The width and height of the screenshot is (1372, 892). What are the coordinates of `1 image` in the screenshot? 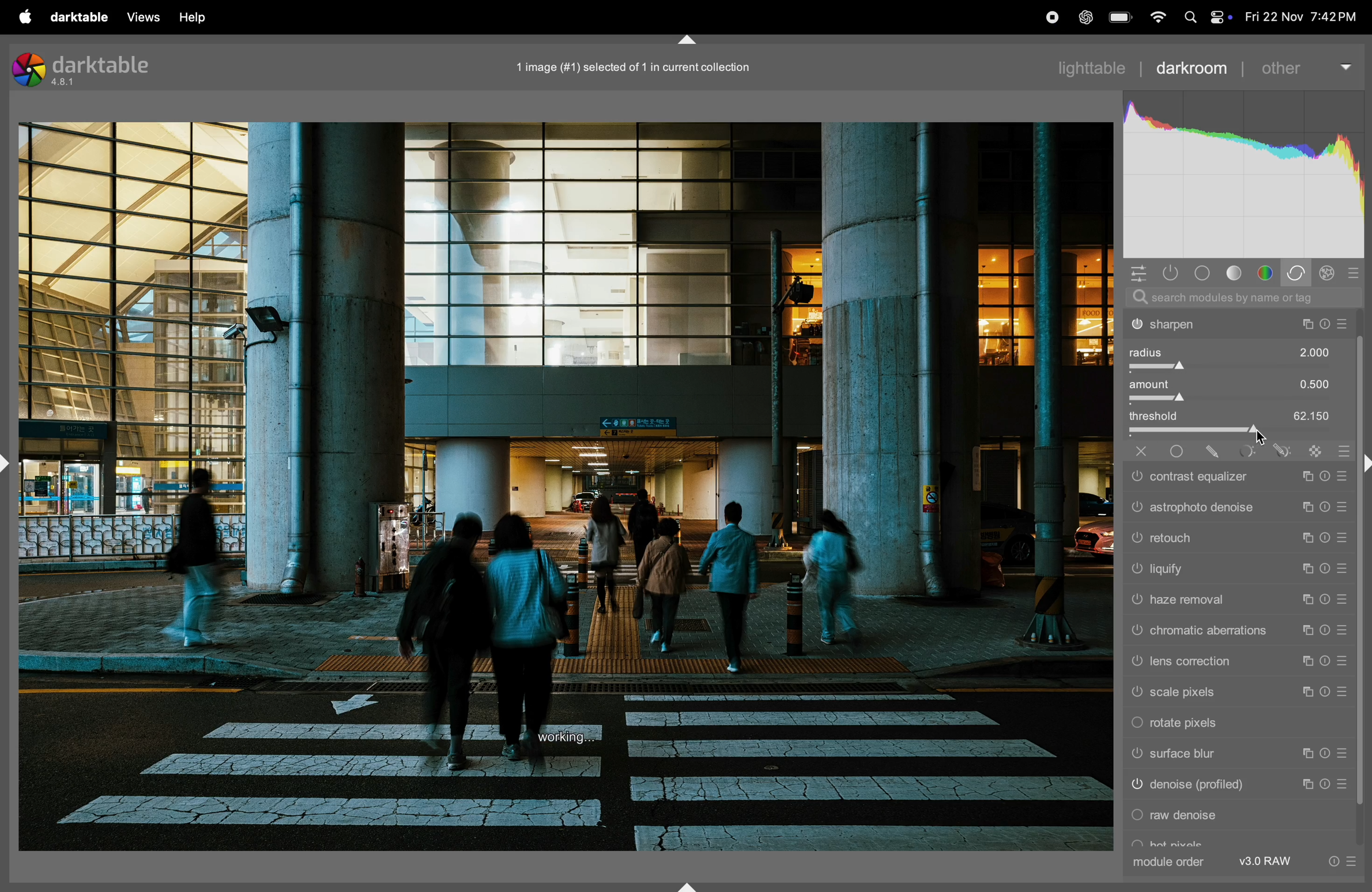 It's located at (640, 65).